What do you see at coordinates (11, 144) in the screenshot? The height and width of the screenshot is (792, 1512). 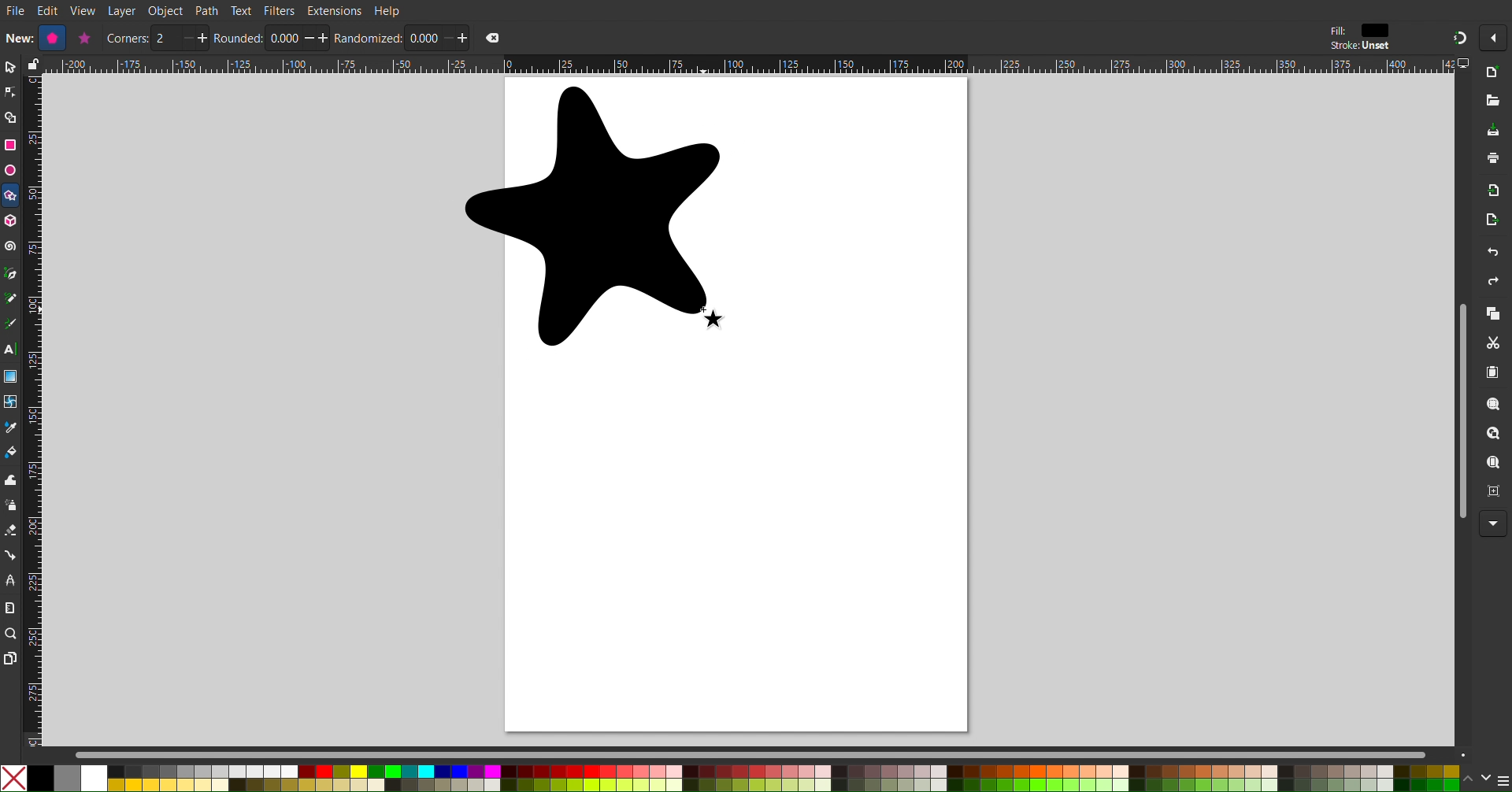 I see `Rectangle Tool` at bounding box center [11, 144].